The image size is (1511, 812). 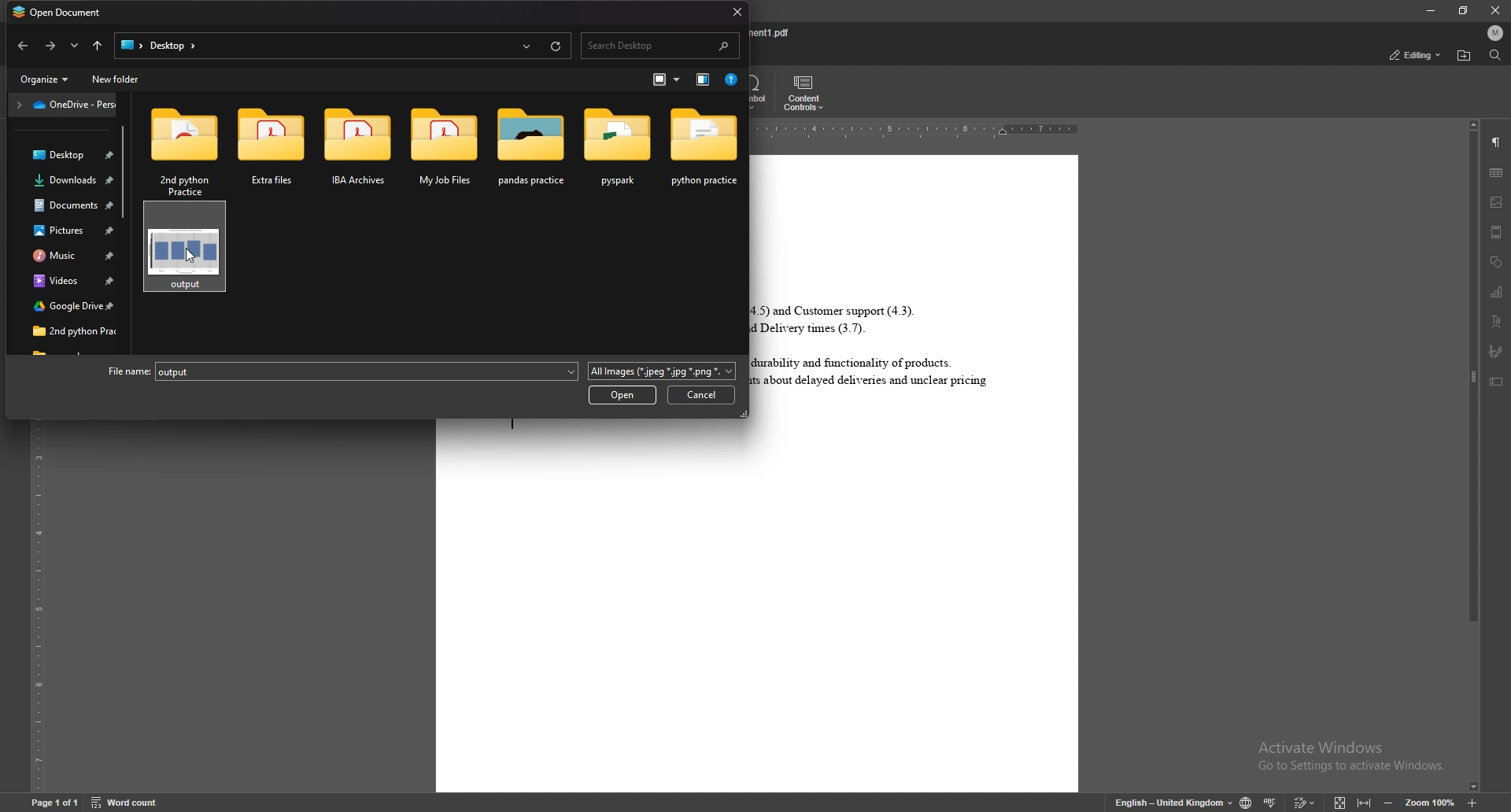 I want to click on paragraph, so click(x=1497, y=142).